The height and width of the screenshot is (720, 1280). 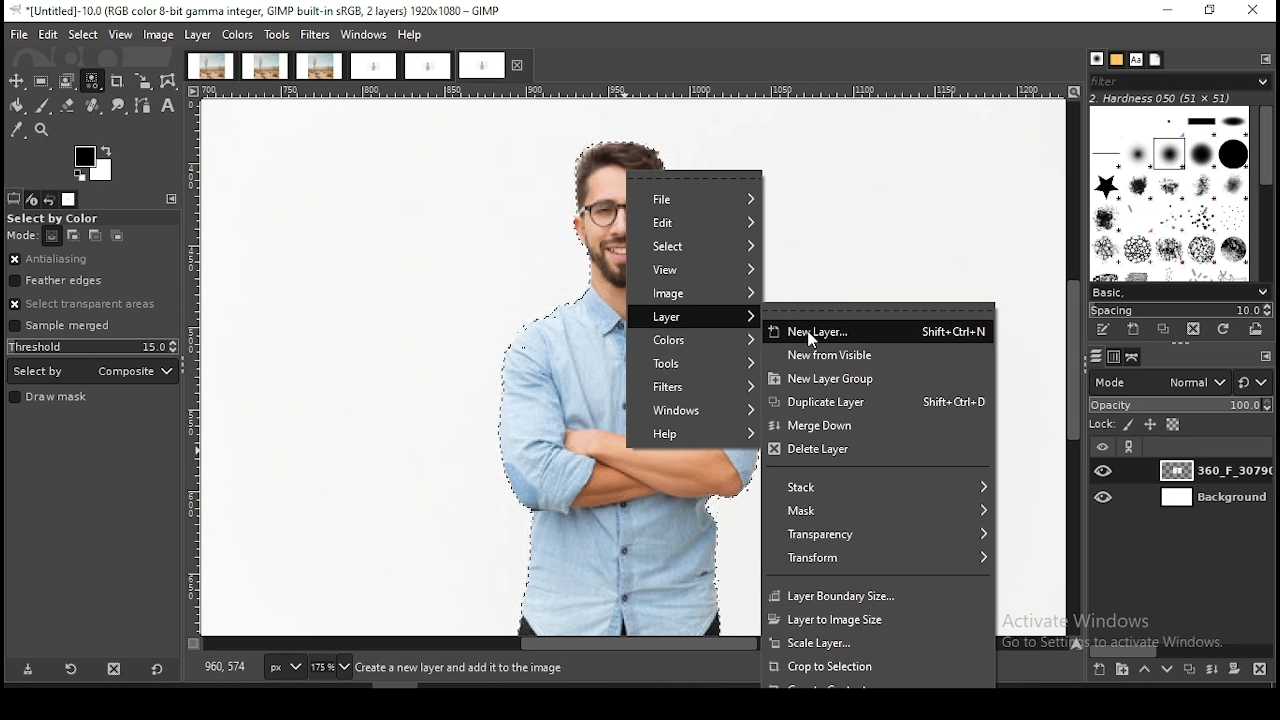 I want to click on open brush as image, so click(x=1255, y=329).